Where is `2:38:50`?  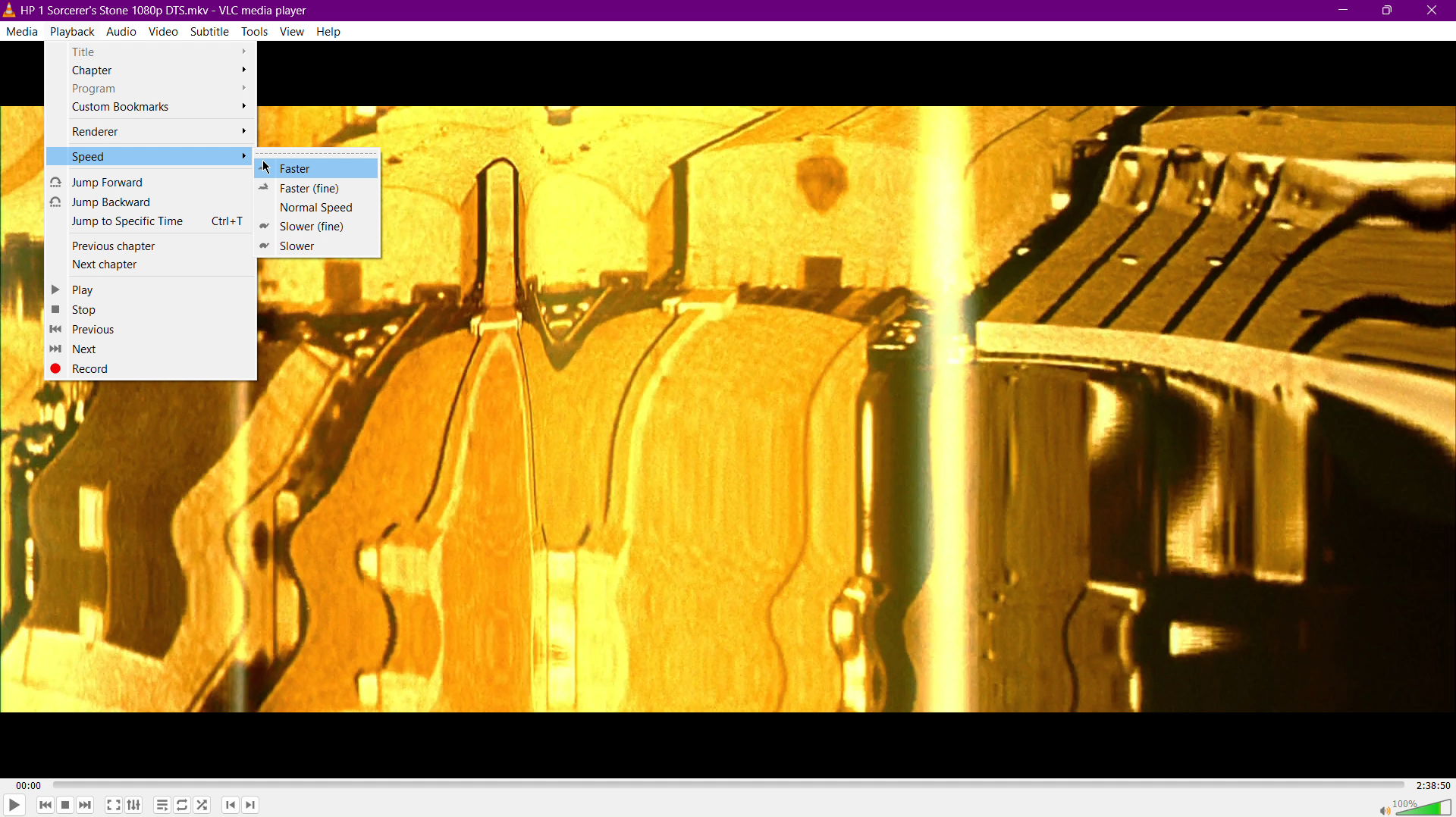
2:38:50 is located at coordinates (1429, 784).